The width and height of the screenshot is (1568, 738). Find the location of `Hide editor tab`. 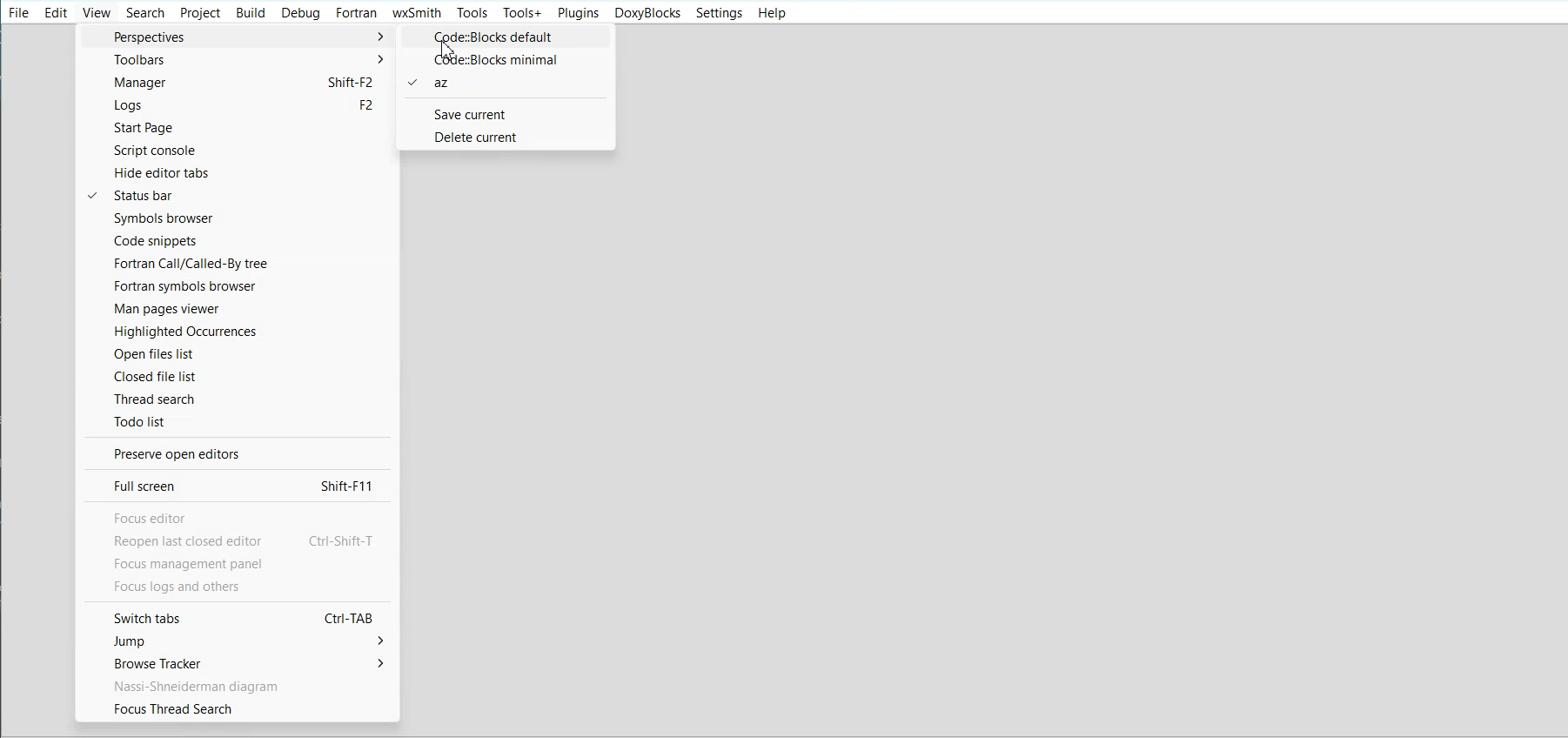

Hide editor tab is located at coordinates (239, 172).